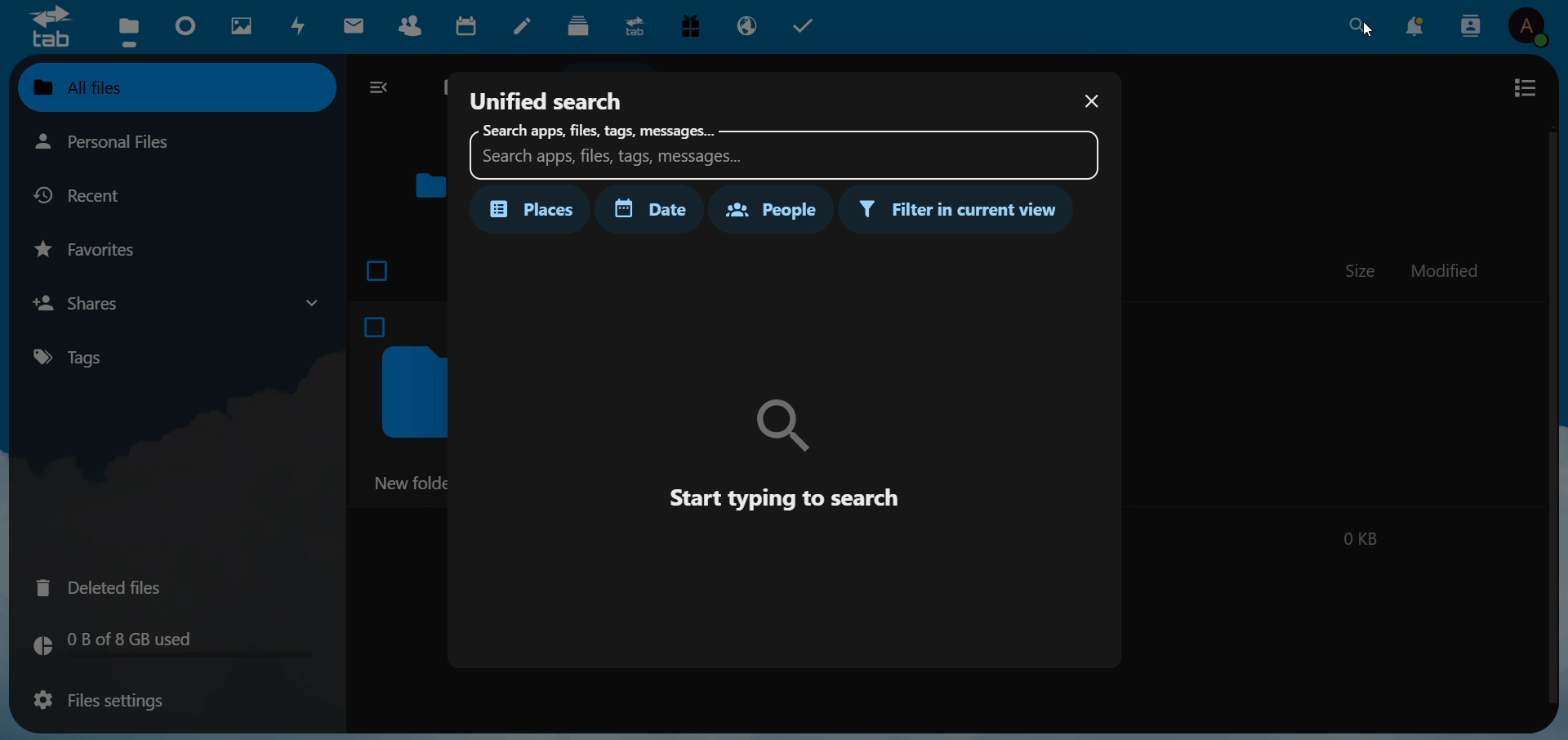  I want to click on logo, so click(49, 26).